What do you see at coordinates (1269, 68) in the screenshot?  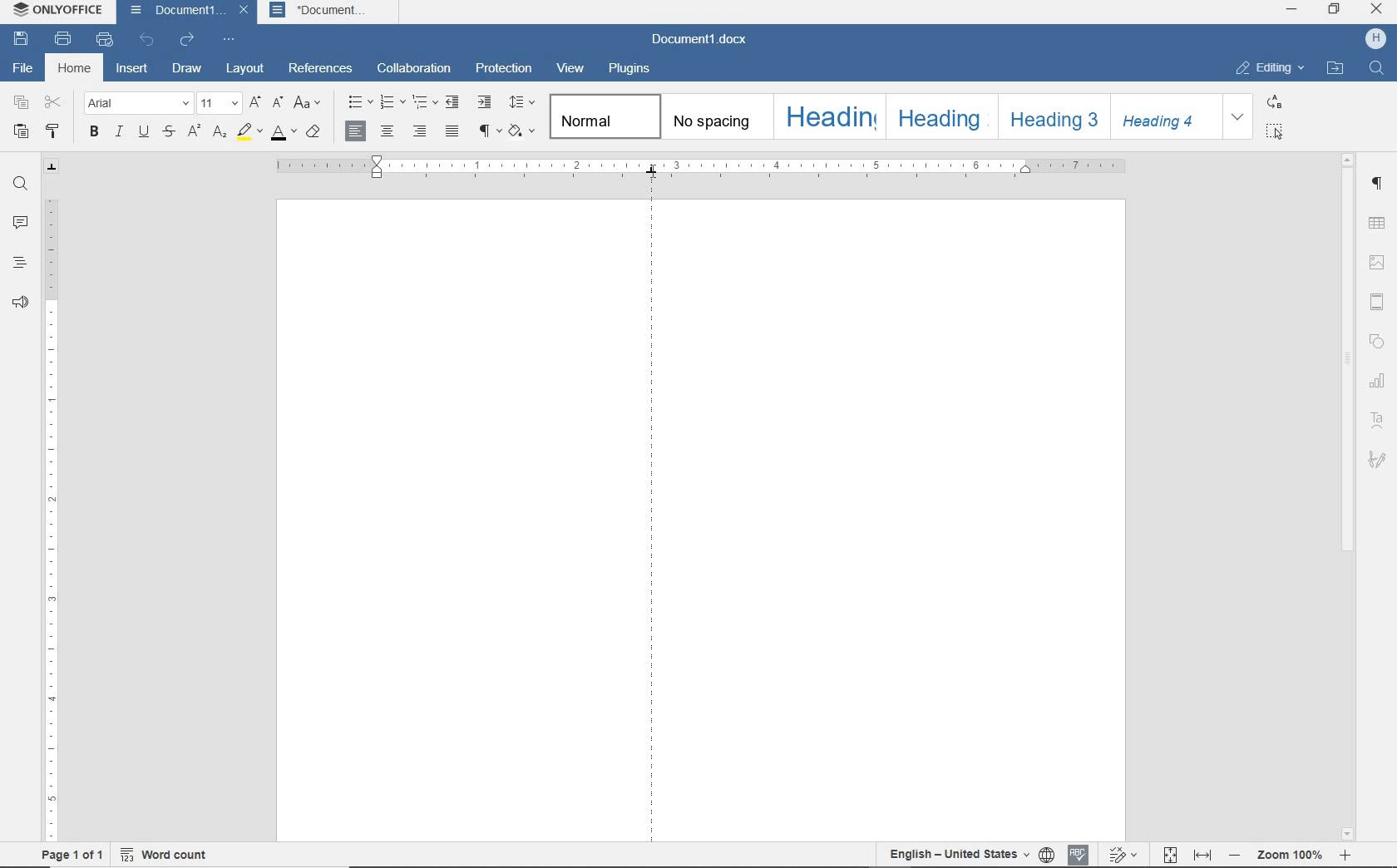 I see `EDITING` at bounding box center [1269, 68].